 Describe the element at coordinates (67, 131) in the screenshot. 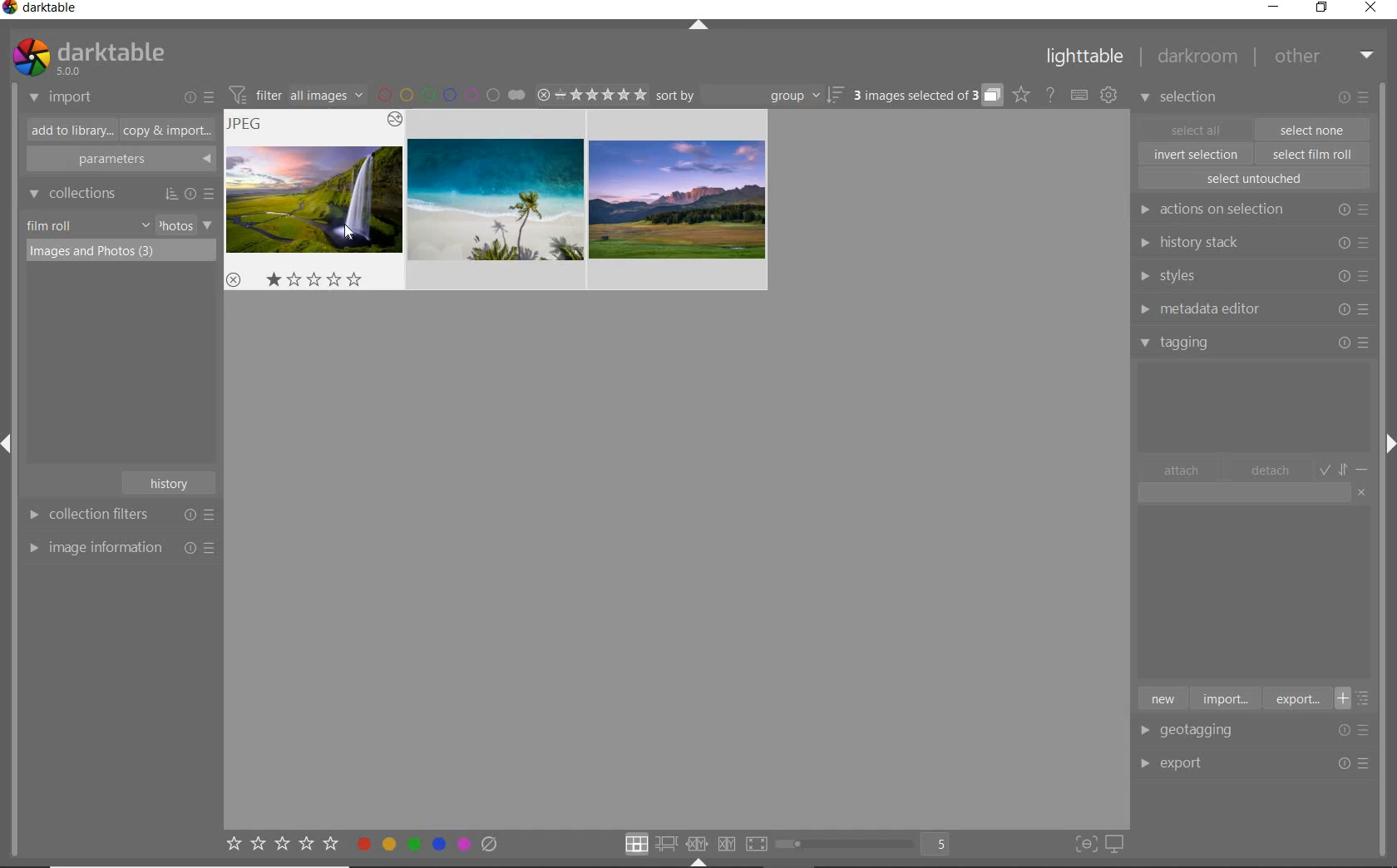

I see `add to library` at that location.